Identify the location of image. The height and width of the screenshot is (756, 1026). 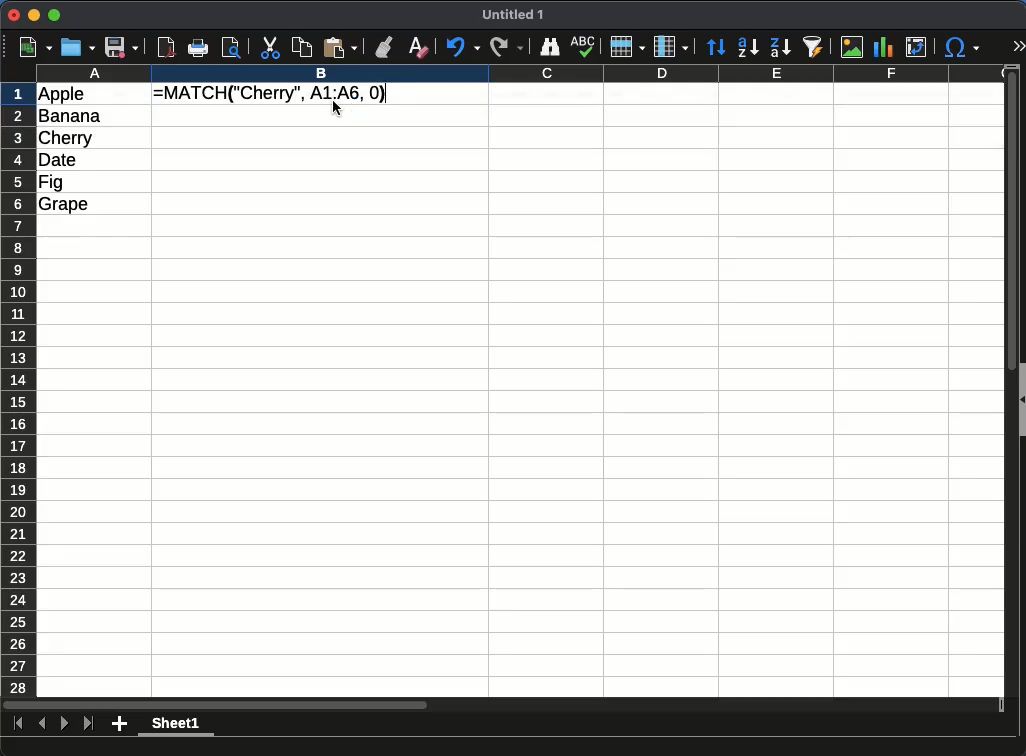
(852, 47).